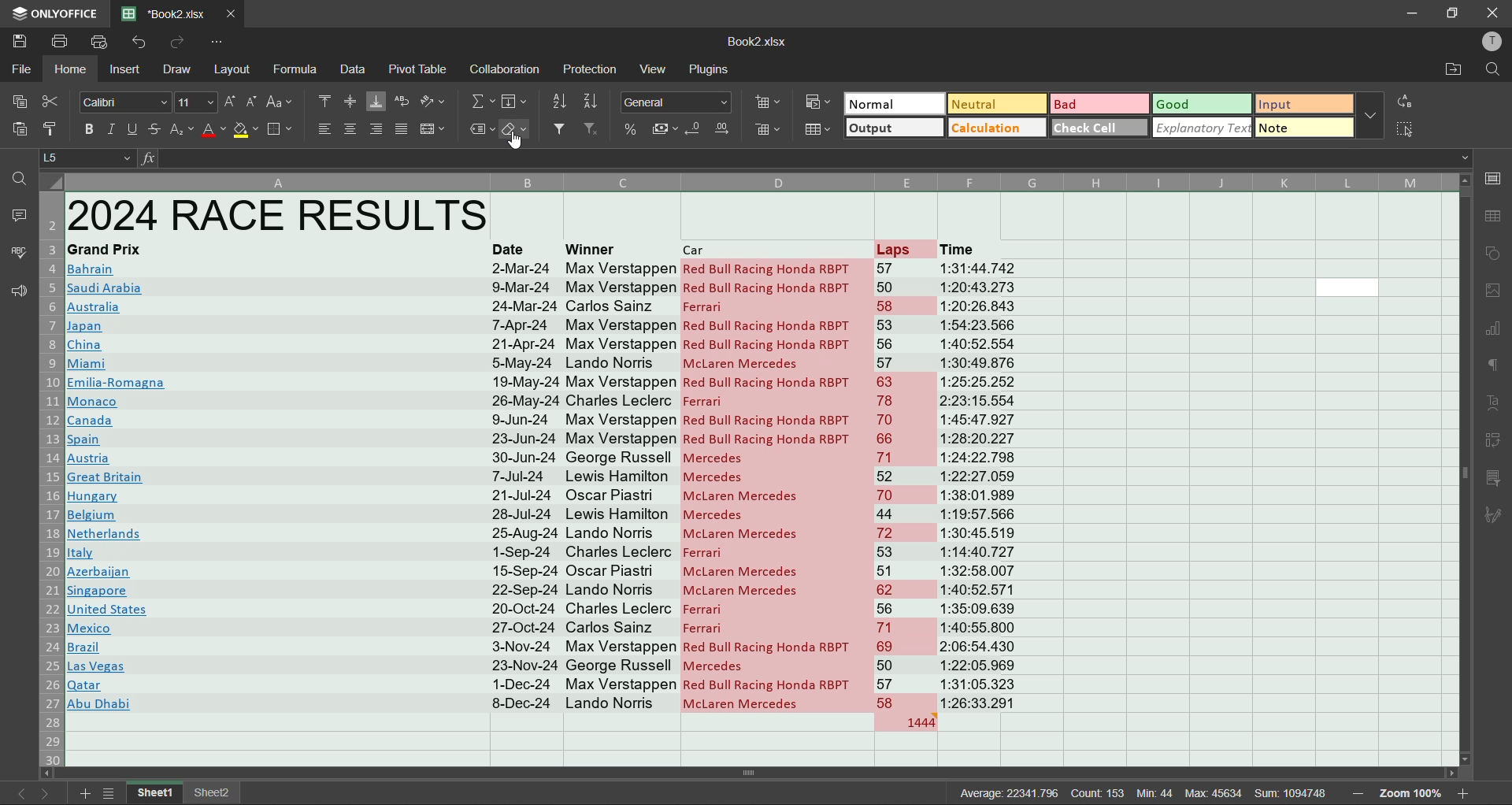 This screenshot has width=1512, height=805. Describe the element at coordinates (48, 793) in the screenshot. I see `next` at that location.